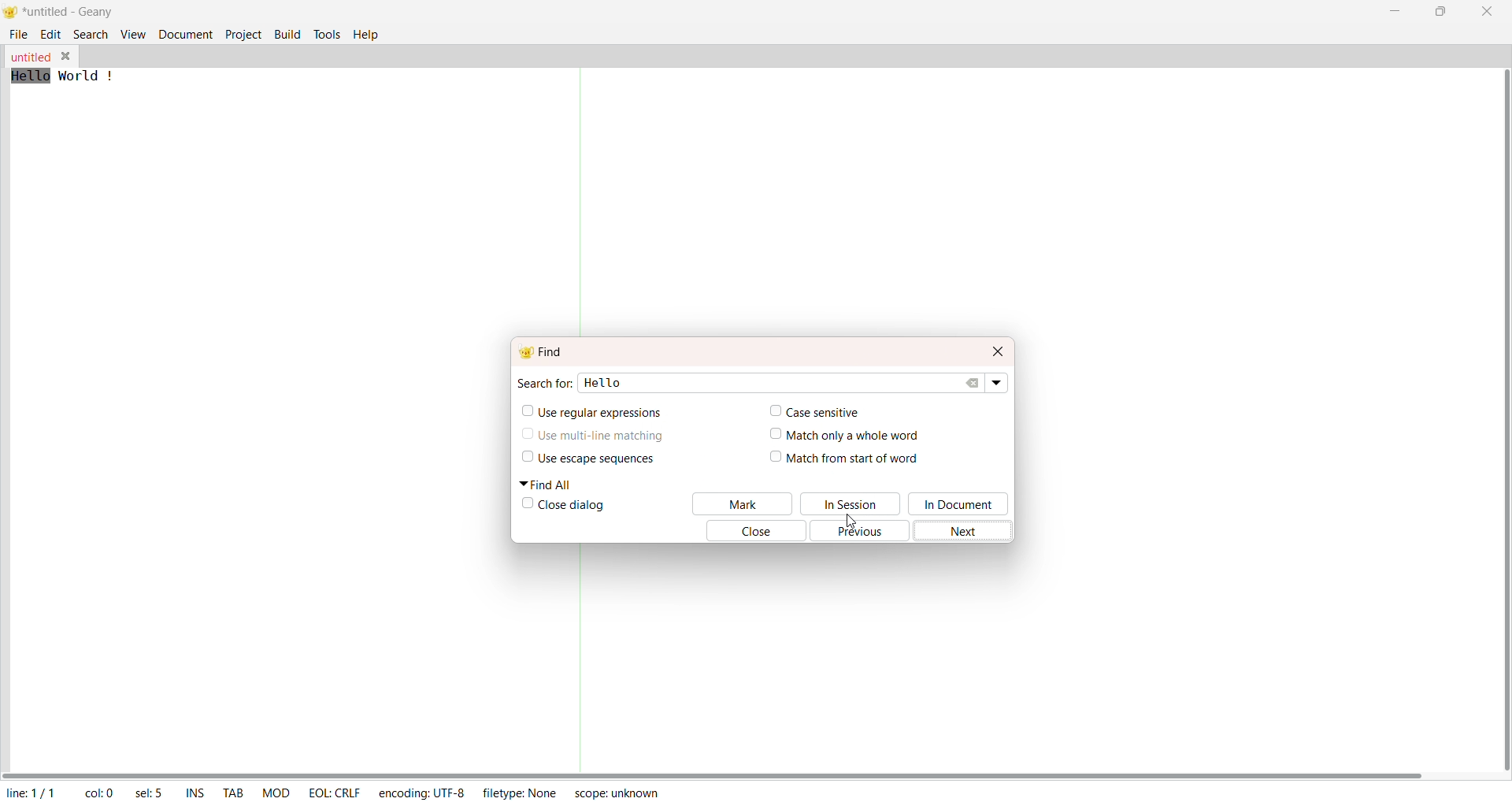 The height and width of the screenshot is (802, 1512). Describe the element at coordinates (1440, 12) in the screenshot. I see `Maximize` at that location.